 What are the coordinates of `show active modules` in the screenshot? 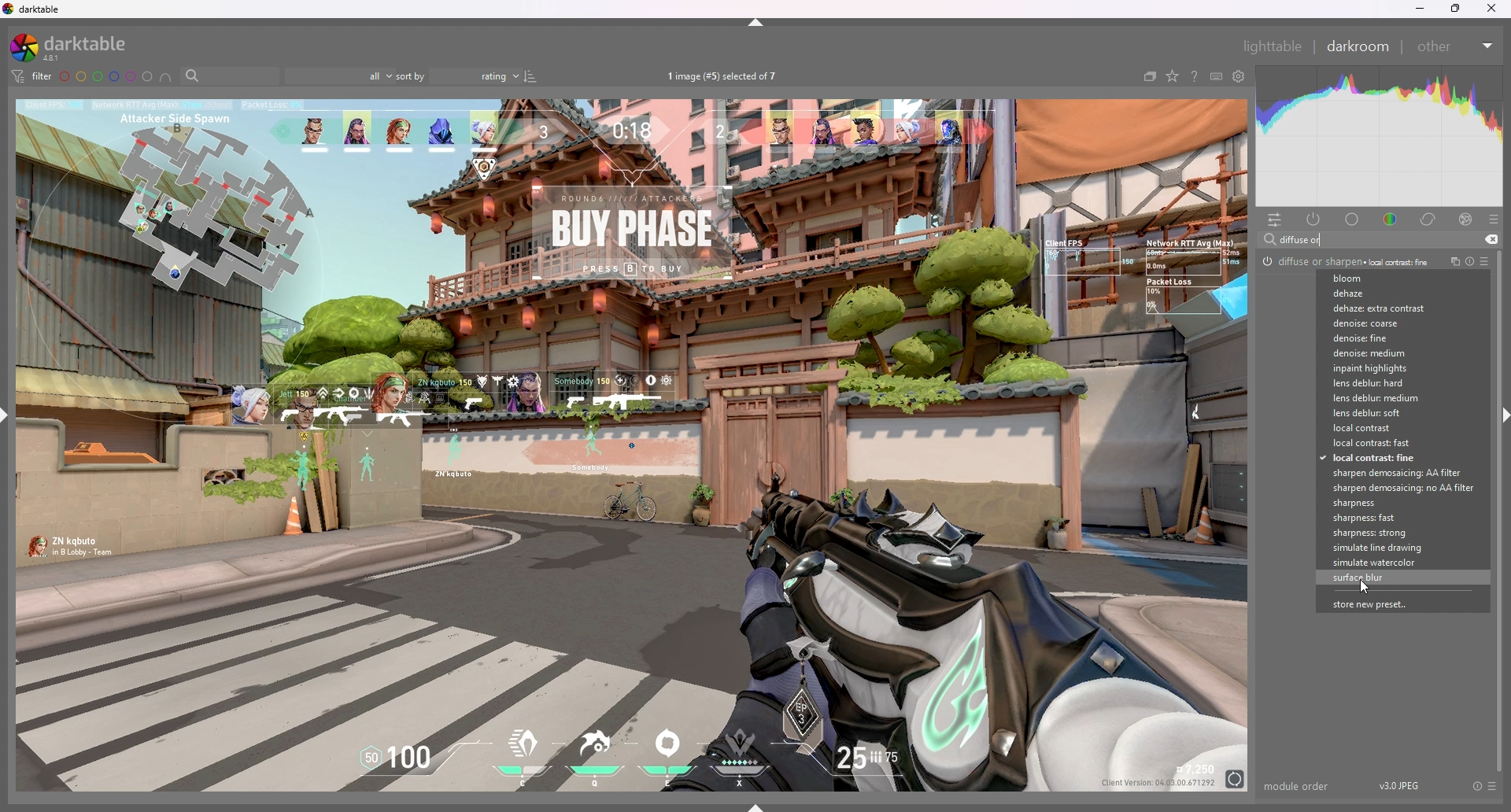 It's located at (1314, 219).